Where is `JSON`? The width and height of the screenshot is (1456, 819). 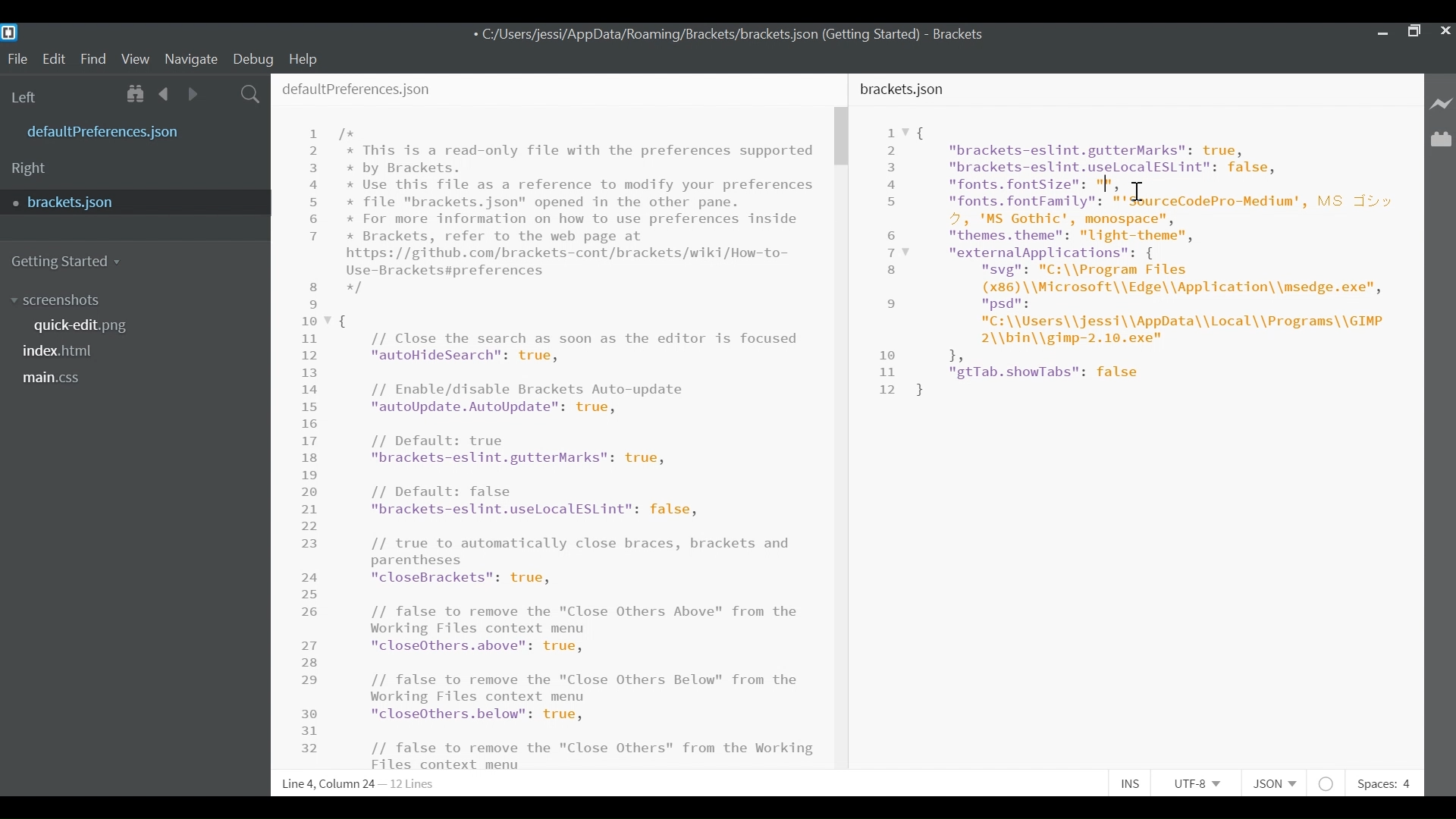
JSON is located at coordinates (1271, 781).